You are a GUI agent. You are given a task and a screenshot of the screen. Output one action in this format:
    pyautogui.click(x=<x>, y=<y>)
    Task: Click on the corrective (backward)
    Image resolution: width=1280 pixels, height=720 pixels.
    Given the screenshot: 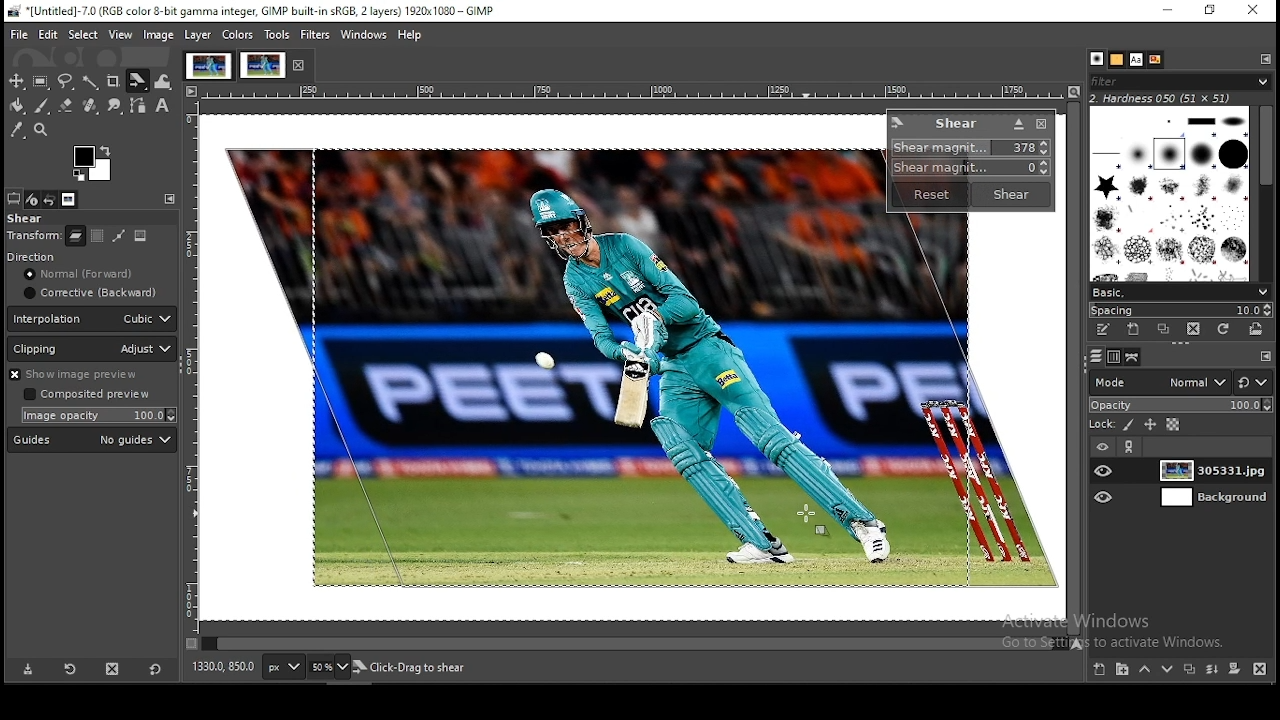 What is the action you would take?
    pyautogui.click(x=89, y=294)
    